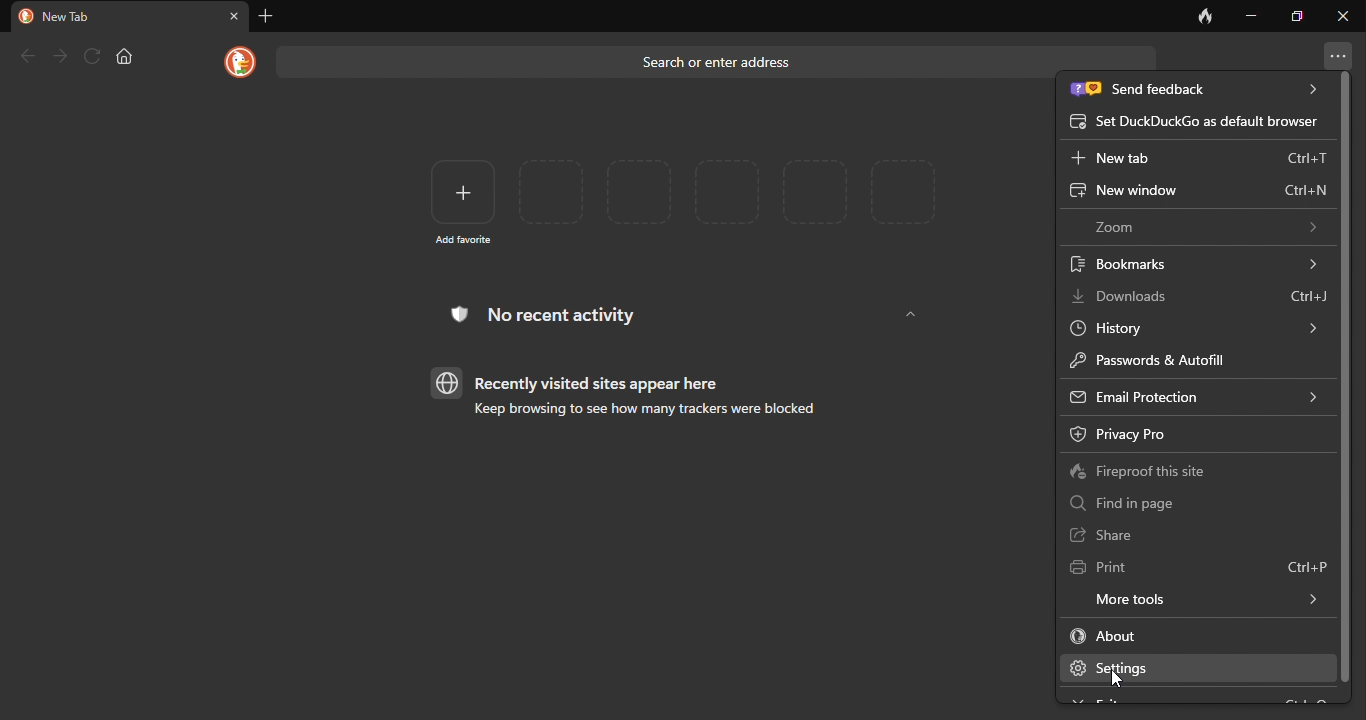 This screenshot has height=720, width=1366. Describe the element at coordinates (730, 192) in the screenshot. I see `favourites` at that location.